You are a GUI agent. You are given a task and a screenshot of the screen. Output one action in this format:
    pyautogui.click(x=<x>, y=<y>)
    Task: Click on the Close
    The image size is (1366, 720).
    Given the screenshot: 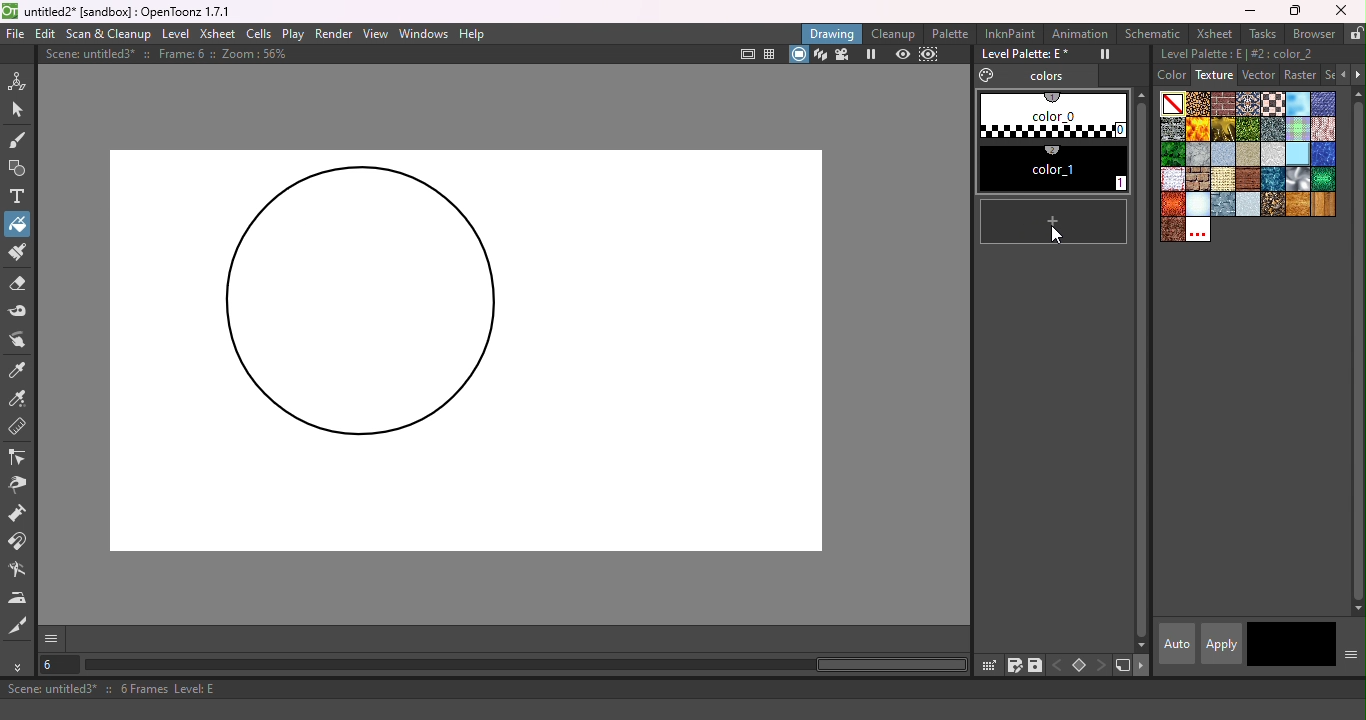 What is the action you would take?
    pyautogui.click(x=1344, y=12)
    